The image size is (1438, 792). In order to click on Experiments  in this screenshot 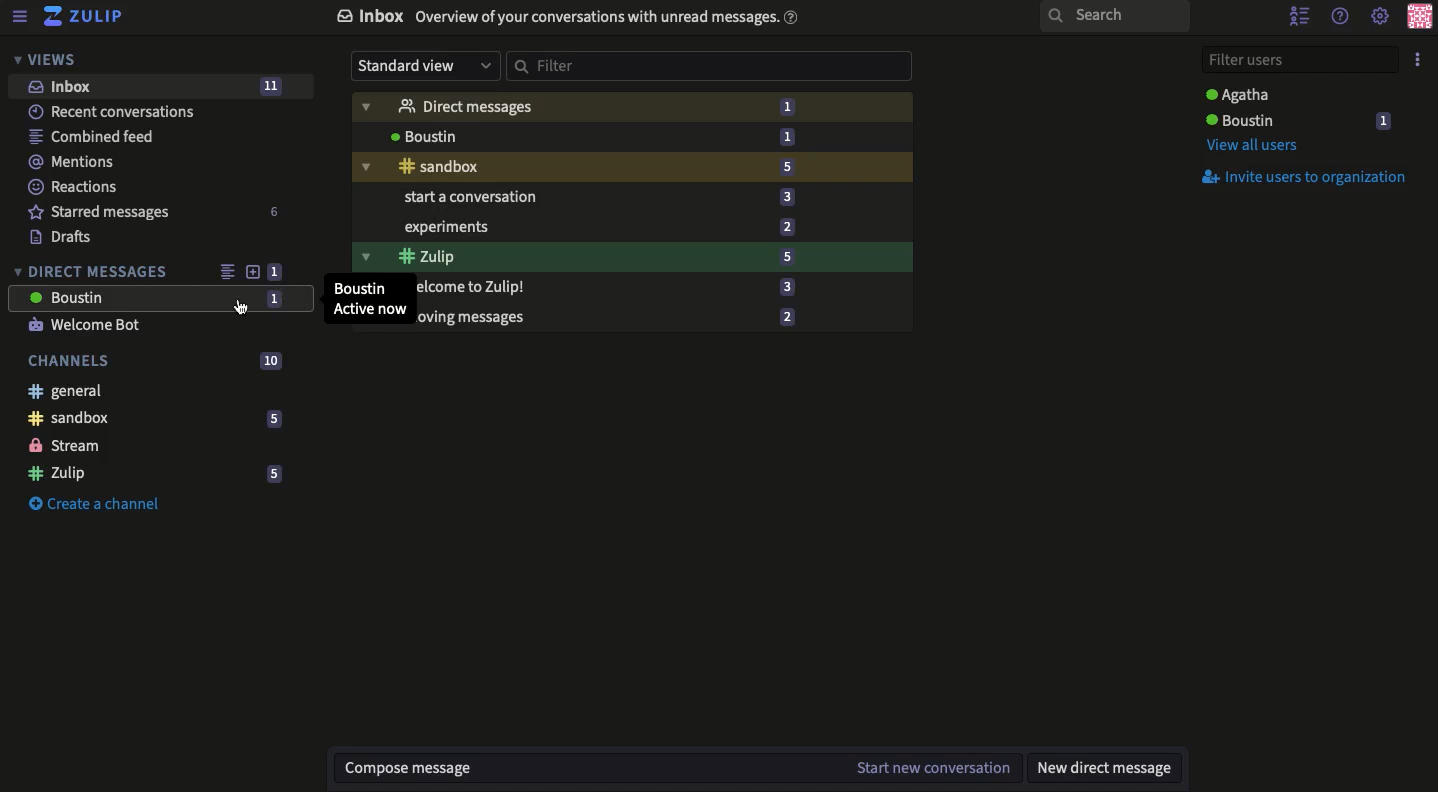, I will do `click(634, 228)`.